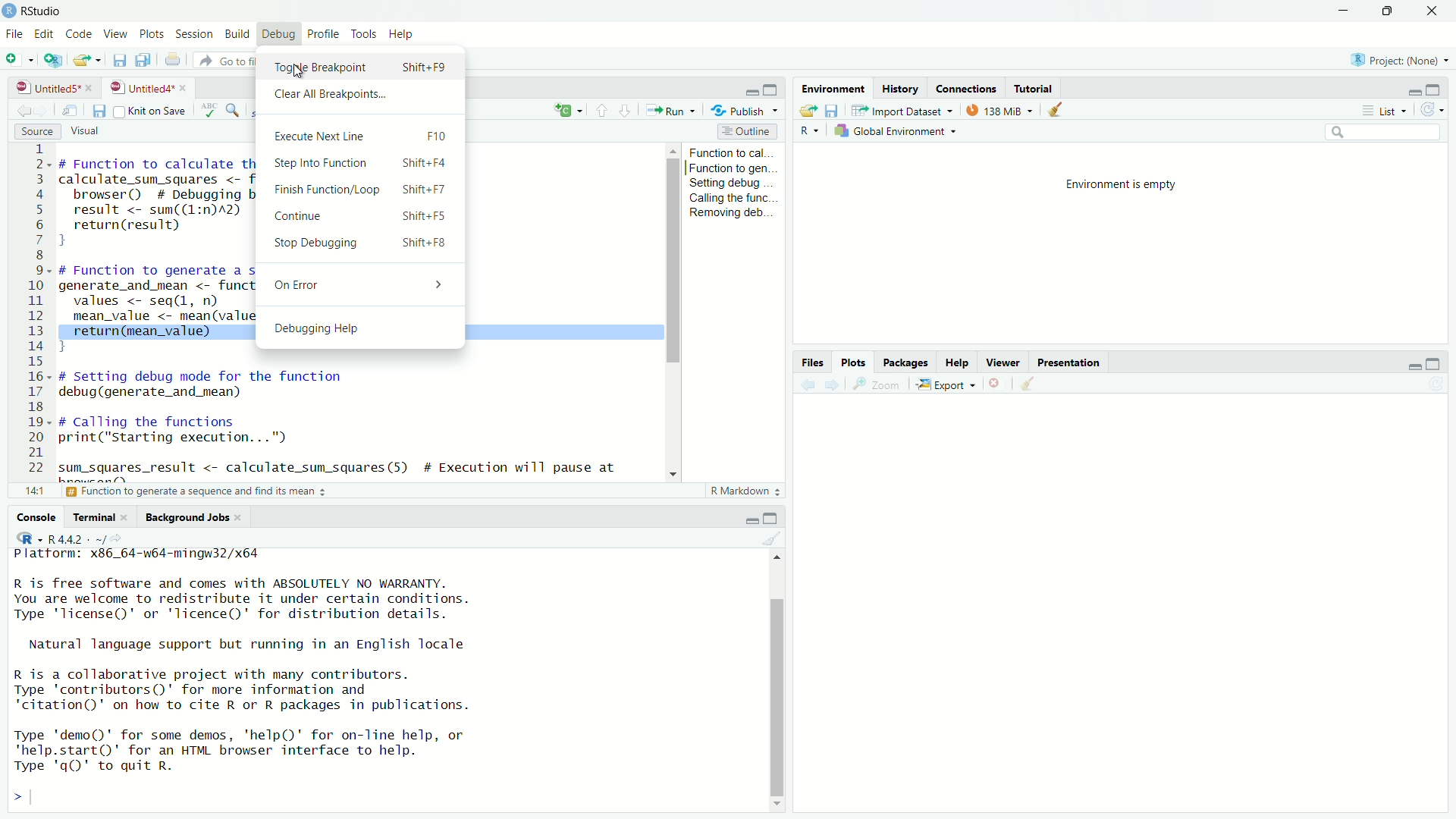  Describe the element at coordinates (121, 538) in the screenshot. I see `view the current working directory` at that location.